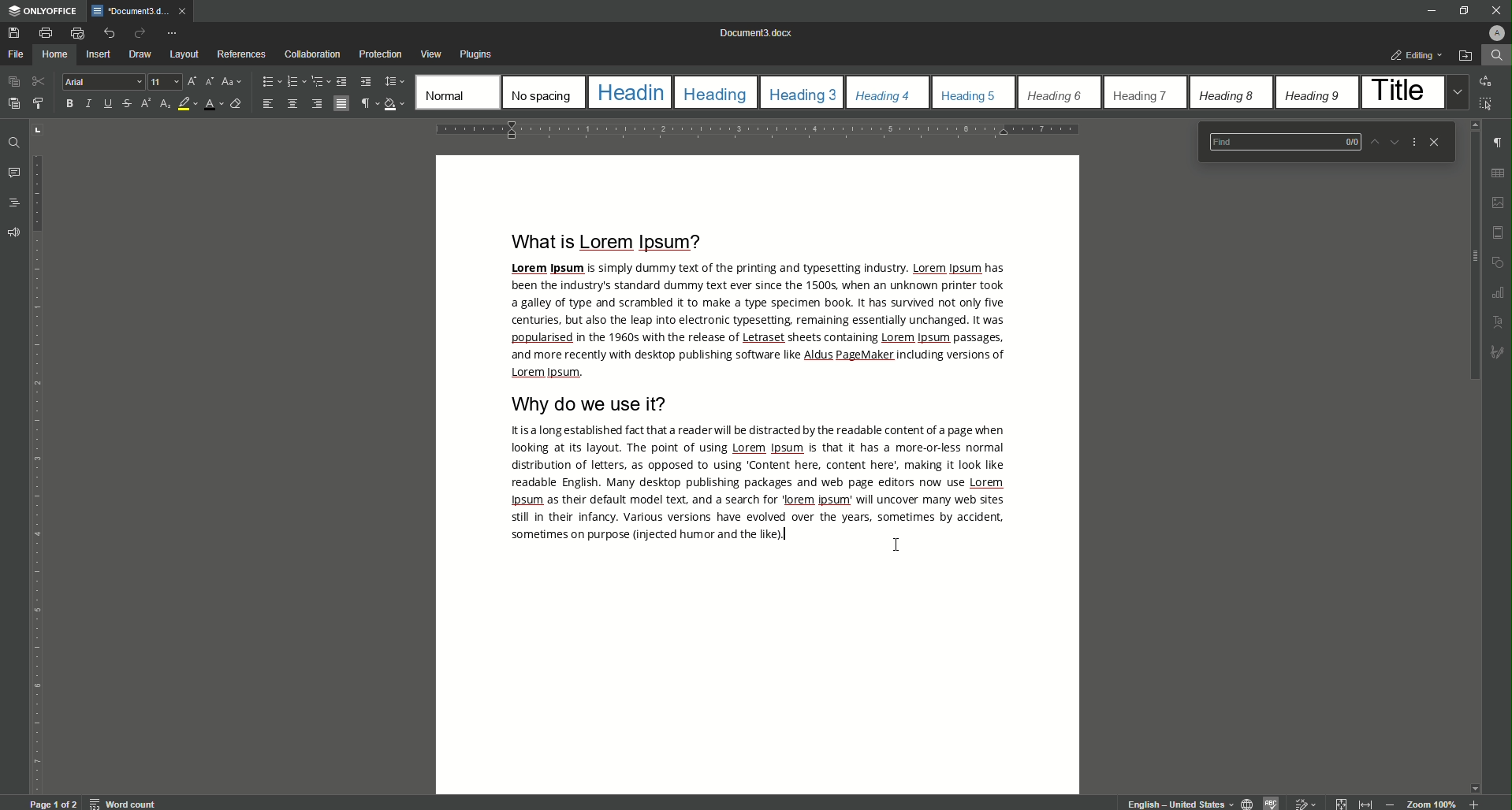  I want to click on Align Center, so click(293, 104).